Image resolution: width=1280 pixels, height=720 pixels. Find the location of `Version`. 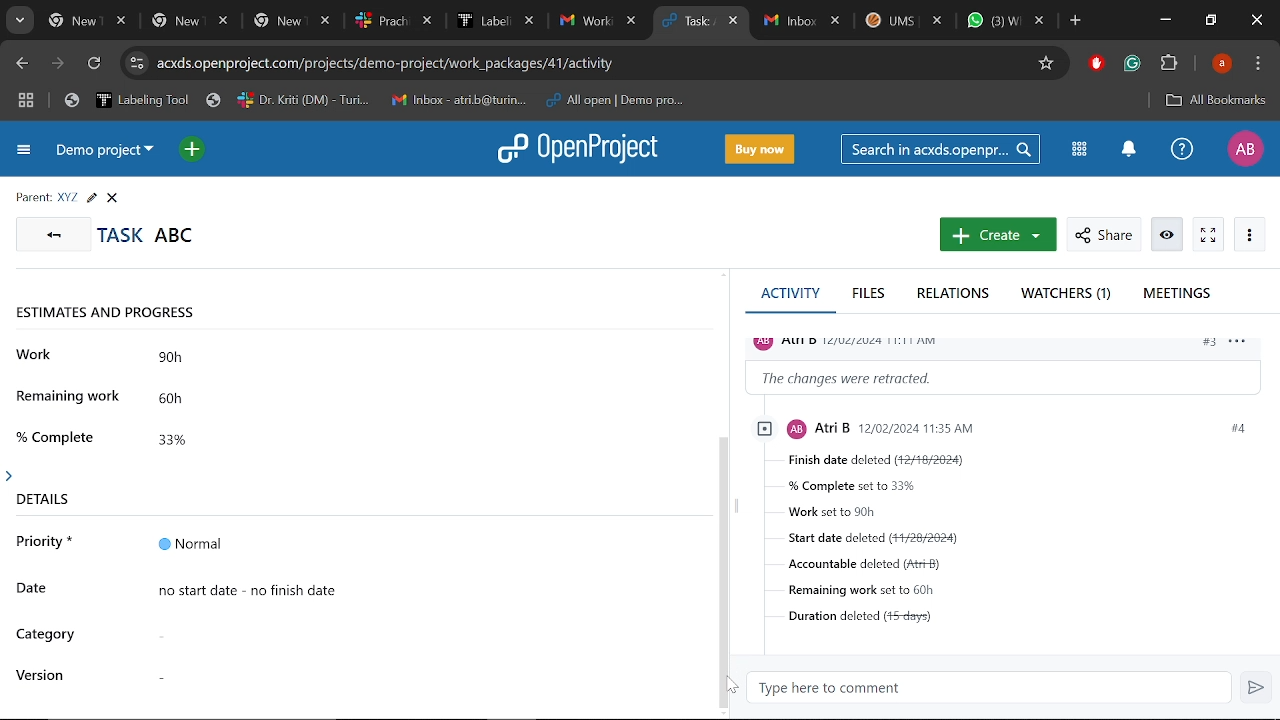

Version is located at coordinates (414, 671).